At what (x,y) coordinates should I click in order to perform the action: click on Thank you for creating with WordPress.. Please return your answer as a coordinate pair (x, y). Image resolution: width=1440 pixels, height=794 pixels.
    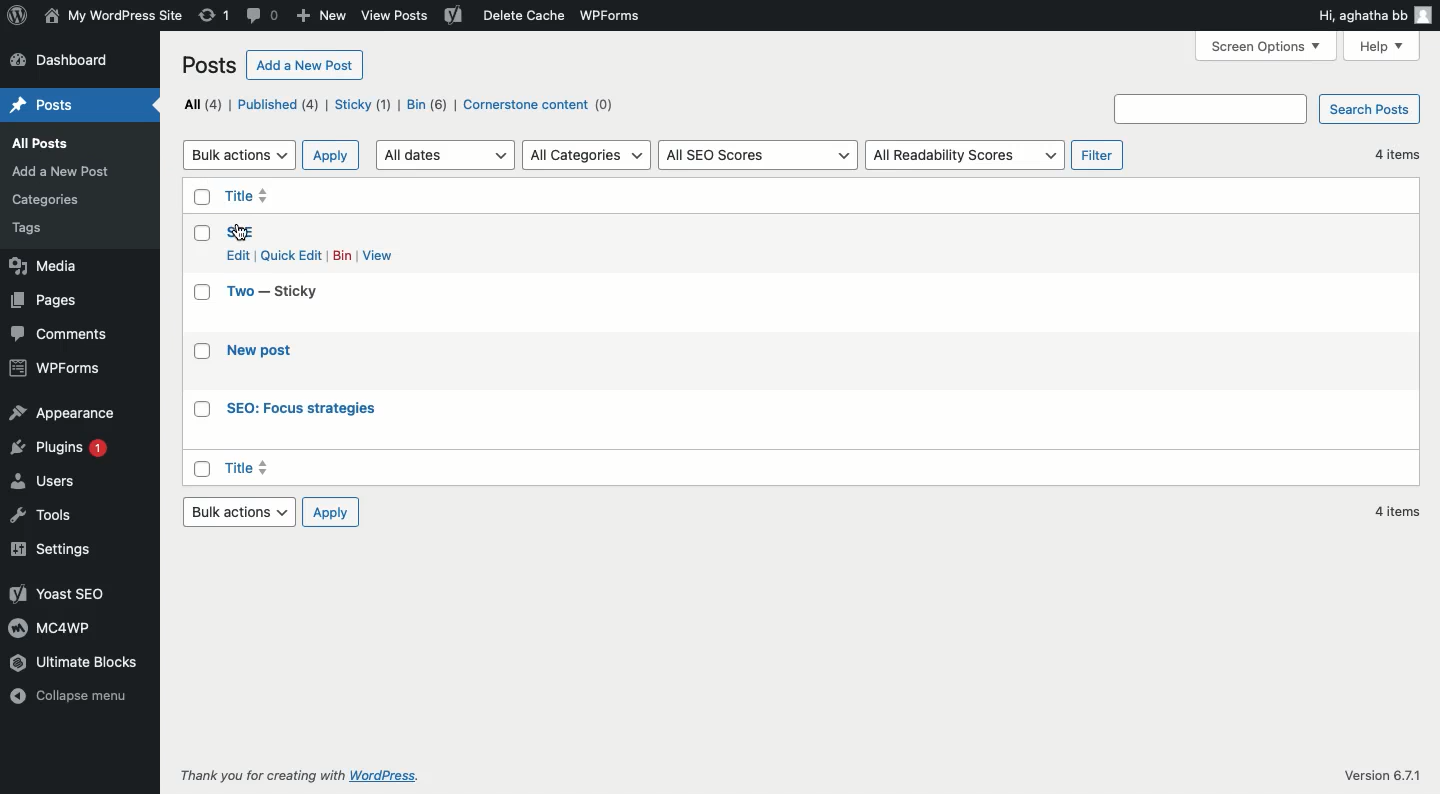
    Looking at the image, I should click on (305, 777).